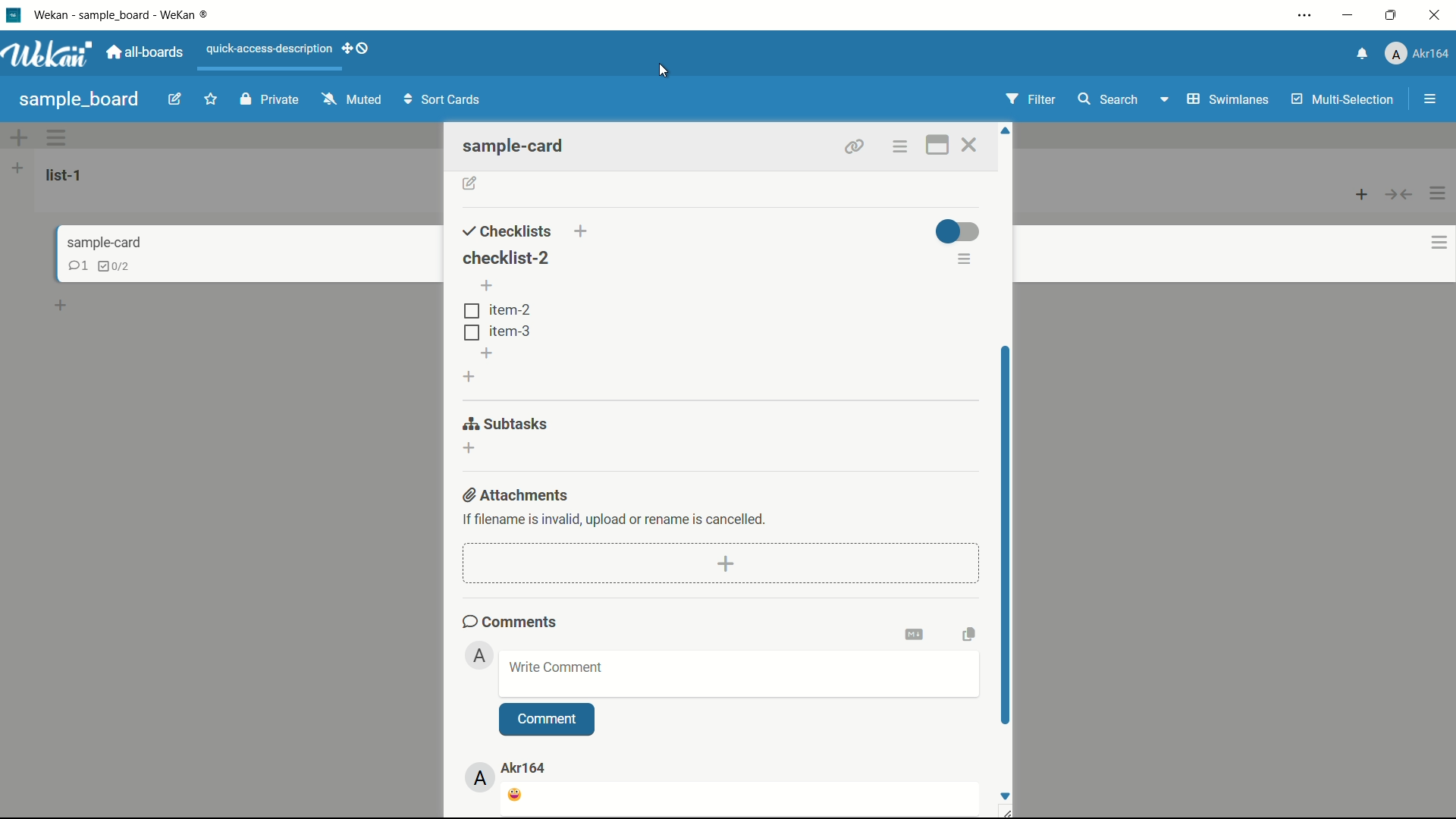  Describe the element at coordinates (526, 767) in the screenshot. I see `username` at that location.